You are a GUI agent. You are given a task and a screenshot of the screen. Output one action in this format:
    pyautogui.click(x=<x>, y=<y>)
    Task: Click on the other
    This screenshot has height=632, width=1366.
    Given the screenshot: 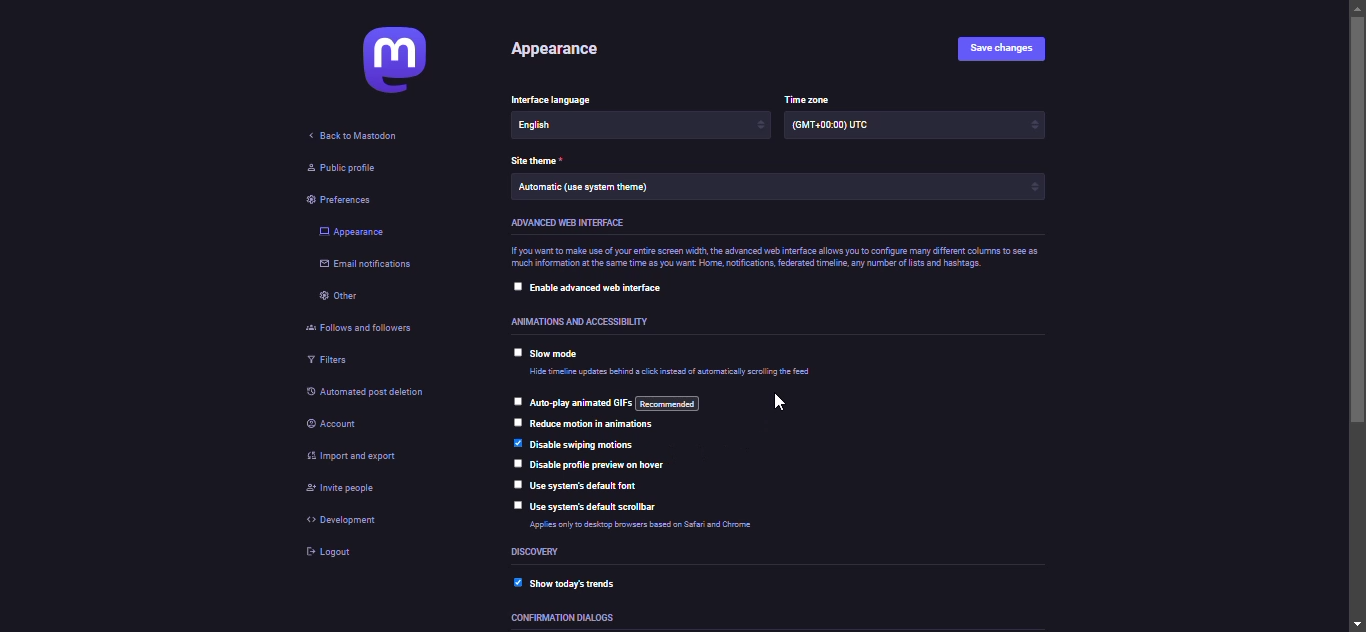 What is the action you would take?
    pyautogui.click(x=338, y=297)
    